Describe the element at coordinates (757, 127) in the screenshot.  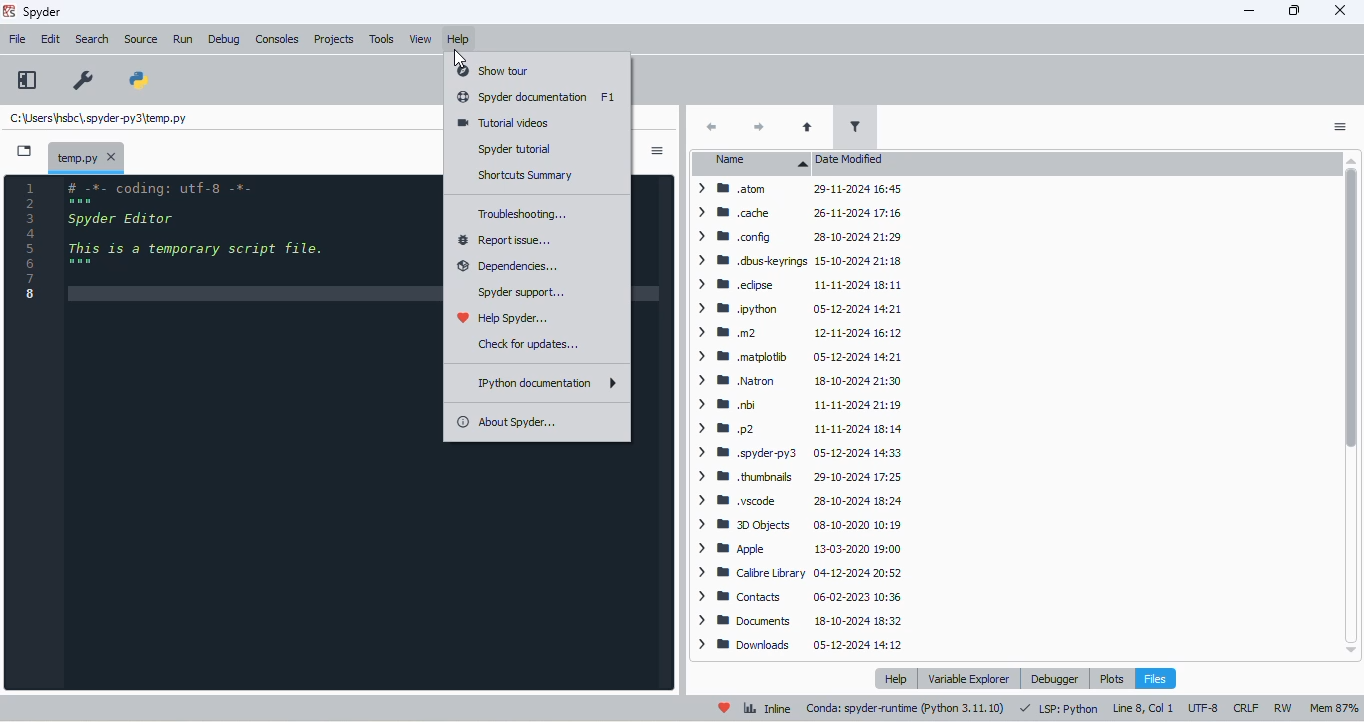
I see `next` at that location.